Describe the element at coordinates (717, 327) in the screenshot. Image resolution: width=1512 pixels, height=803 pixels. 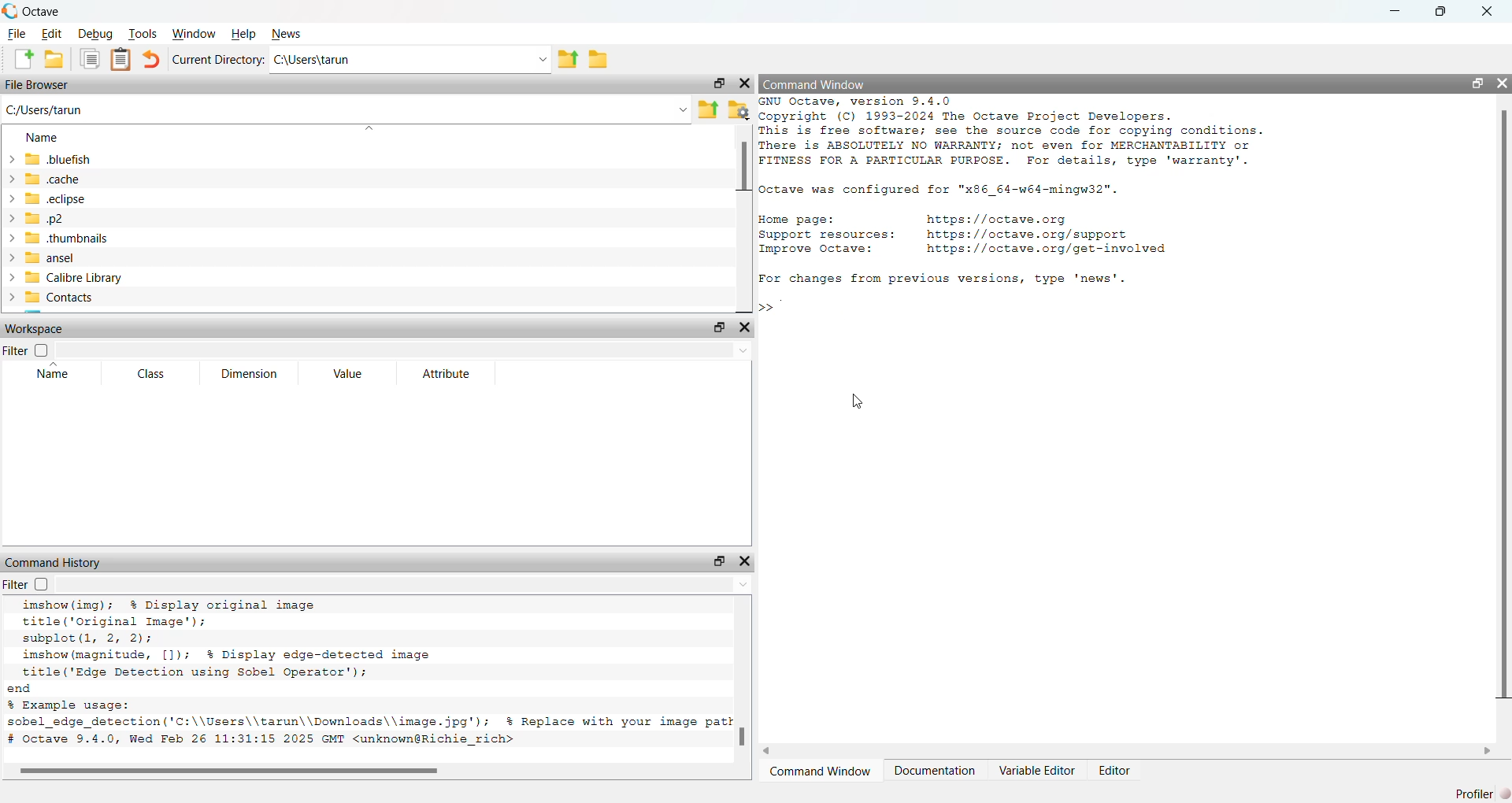
I see `restore down` at that location.